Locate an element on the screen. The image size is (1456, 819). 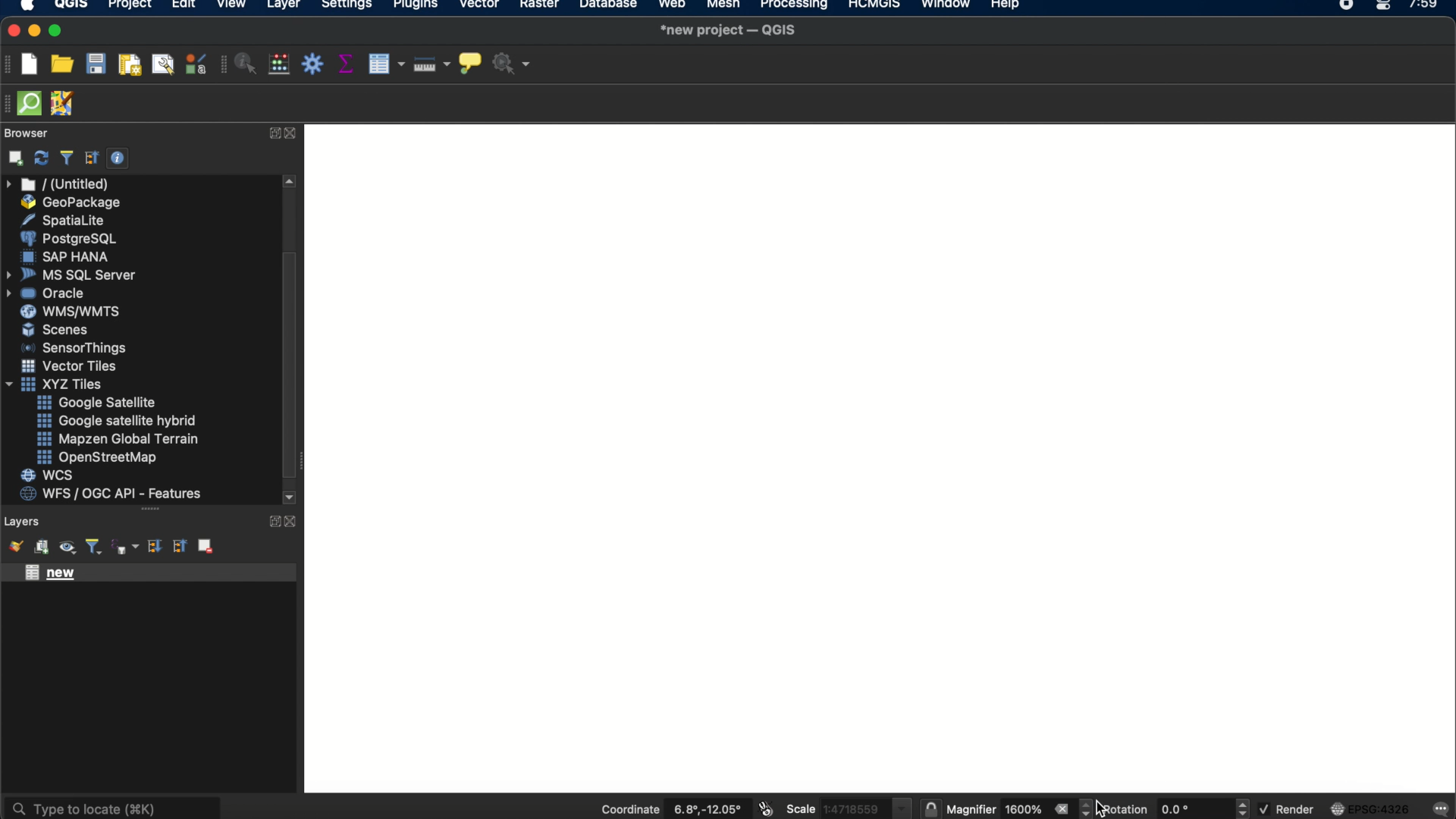
processing is located at coordinates (798, 6).